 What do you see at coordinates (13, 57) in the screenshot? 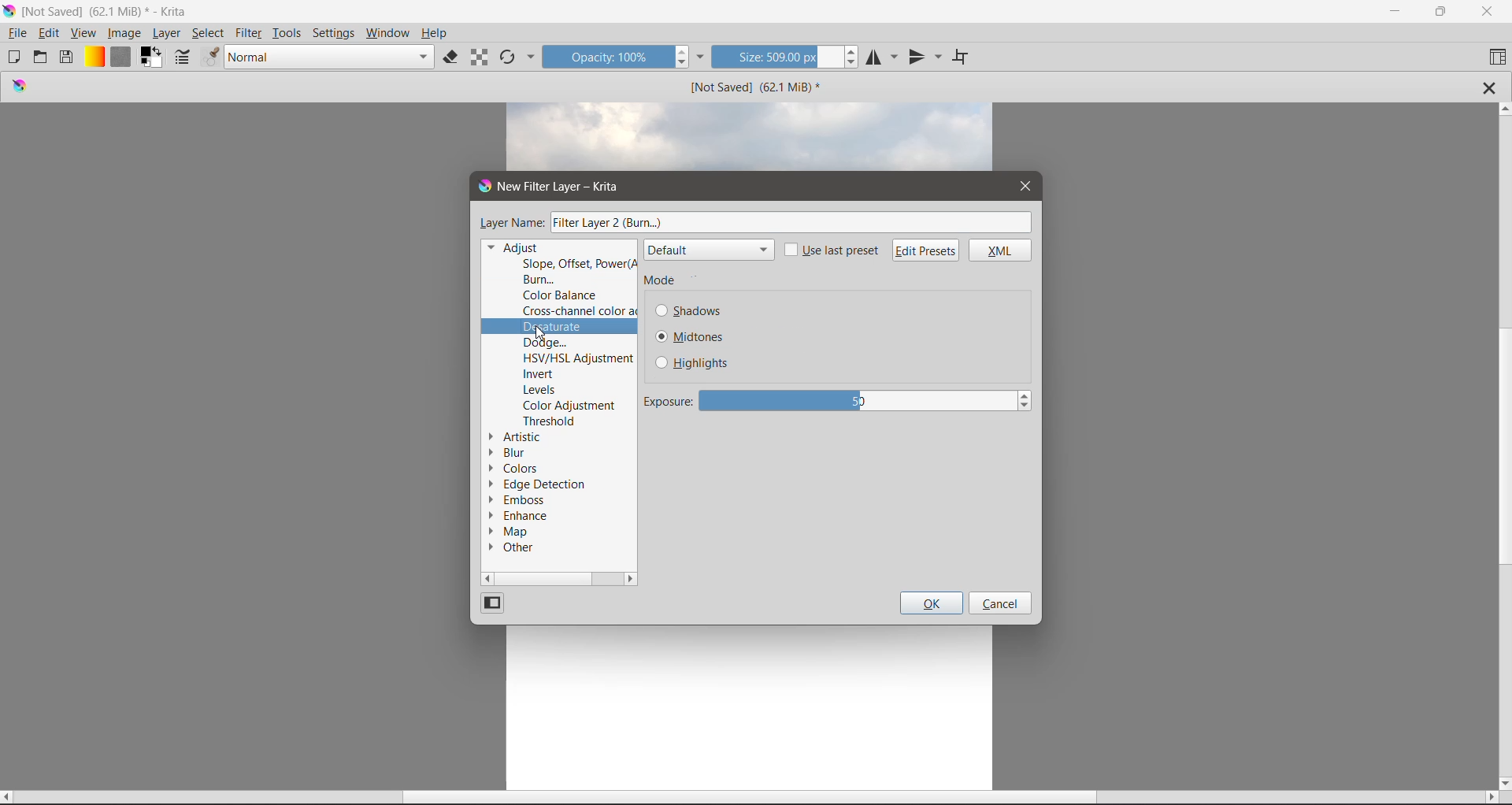
I see `Create New Document` at bounding box center [13, 57].